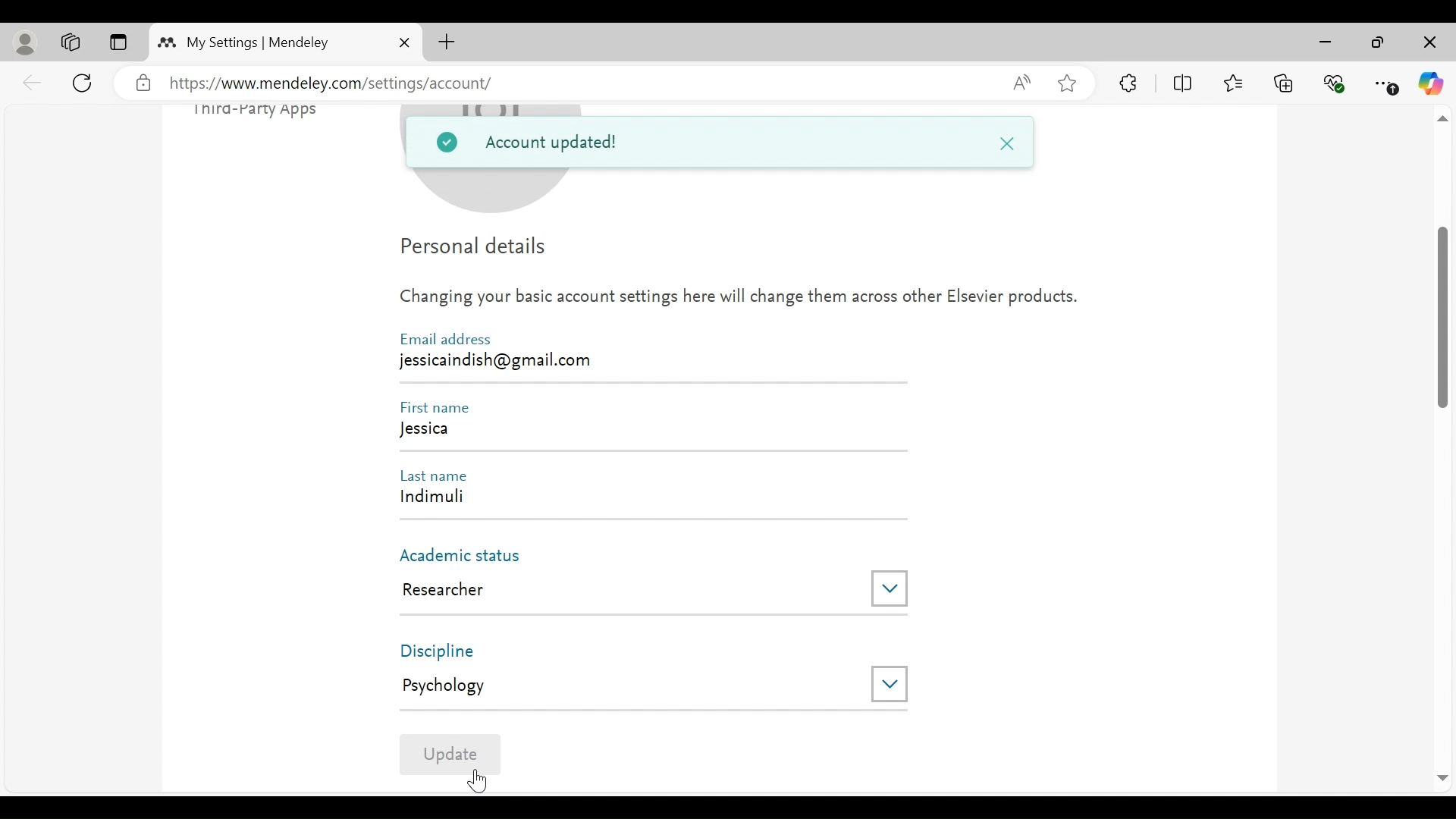  Describe the element at coordinates (890, 589) in the screenshot. I see `Drop down` at that location.